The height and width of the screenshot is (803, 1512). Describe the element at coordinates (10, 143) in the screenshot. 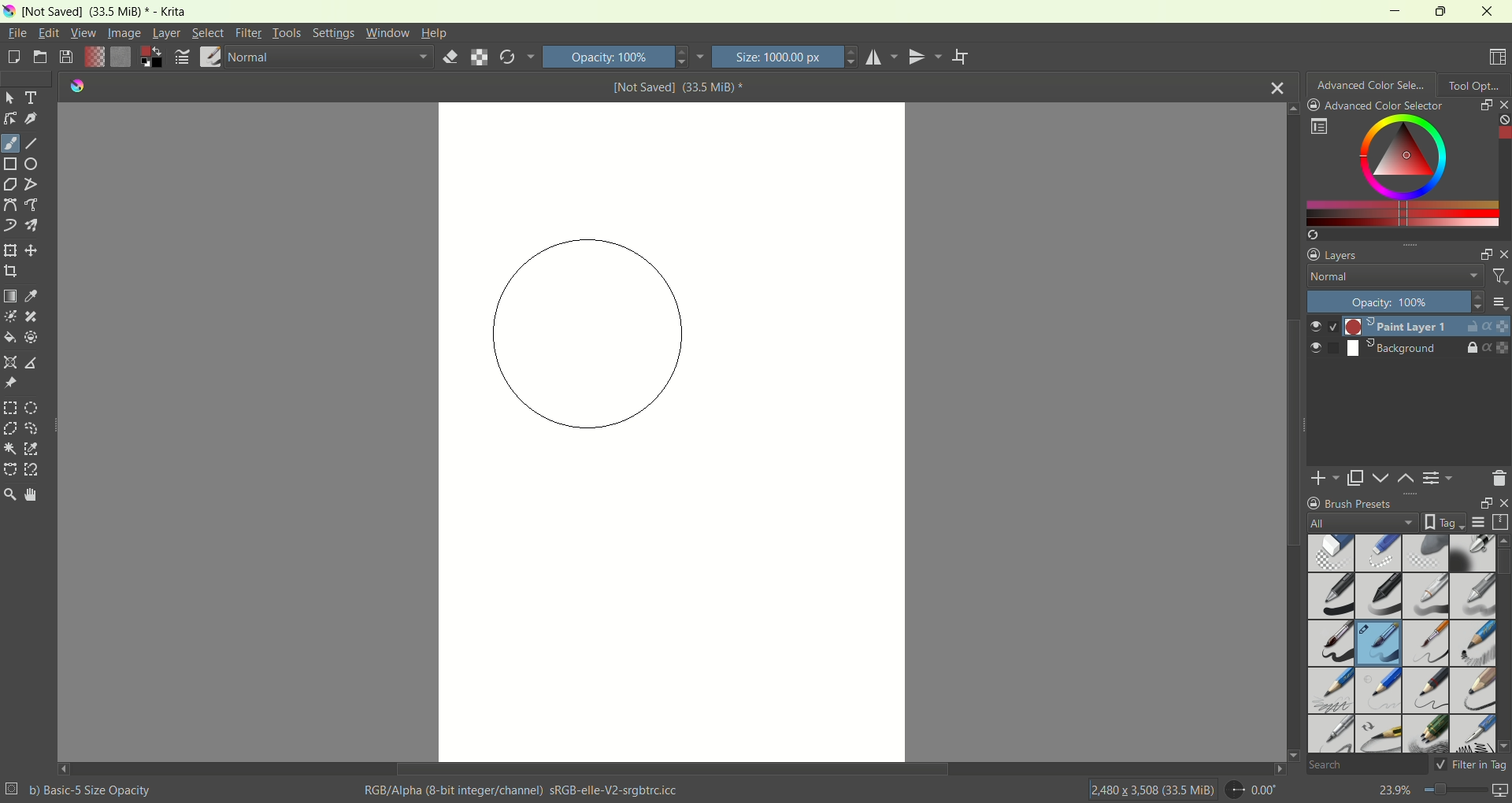

I see `freehand brush` at that location.